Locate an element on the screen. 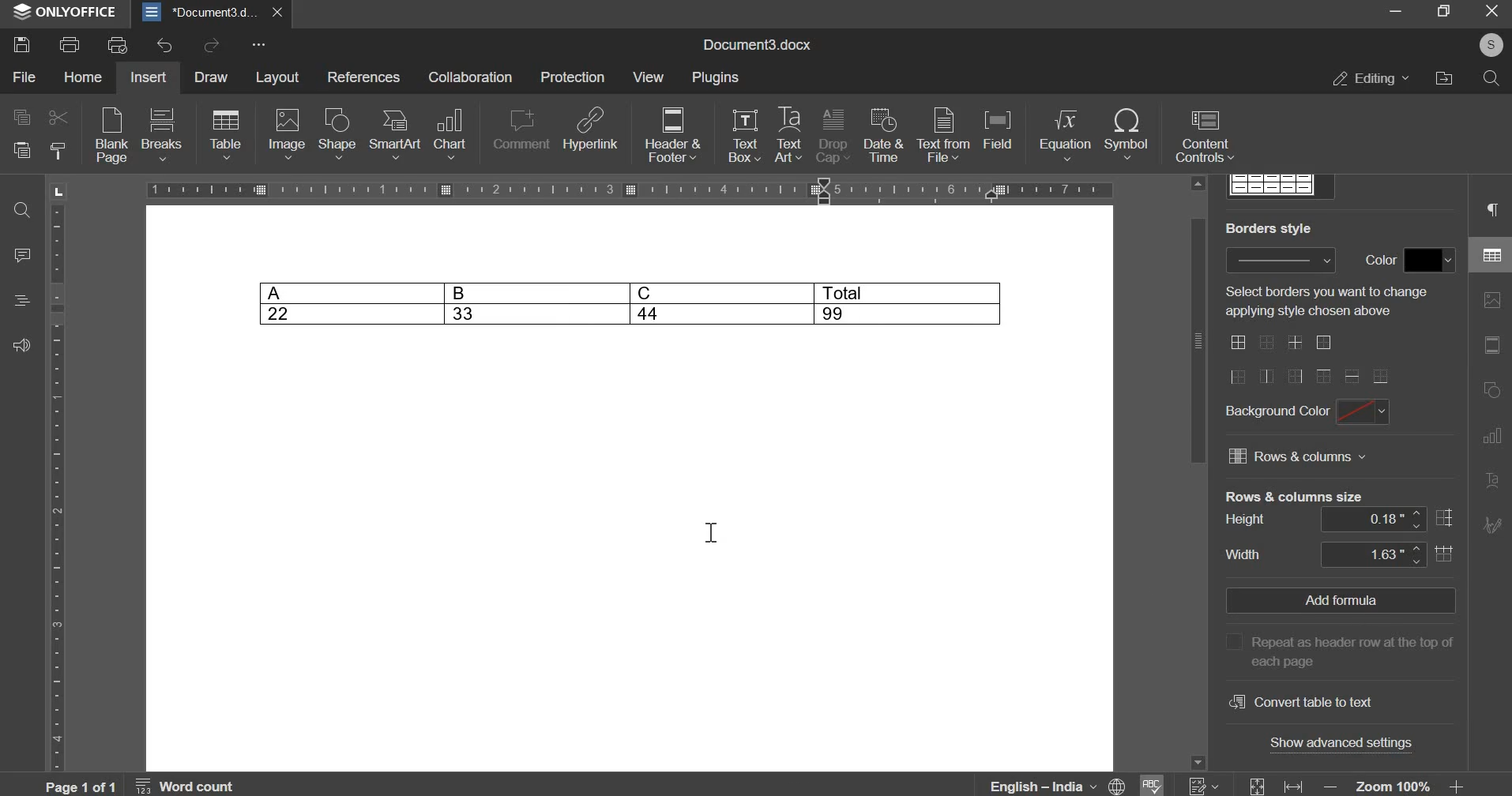  plugins is located at coordinates (720, 78).